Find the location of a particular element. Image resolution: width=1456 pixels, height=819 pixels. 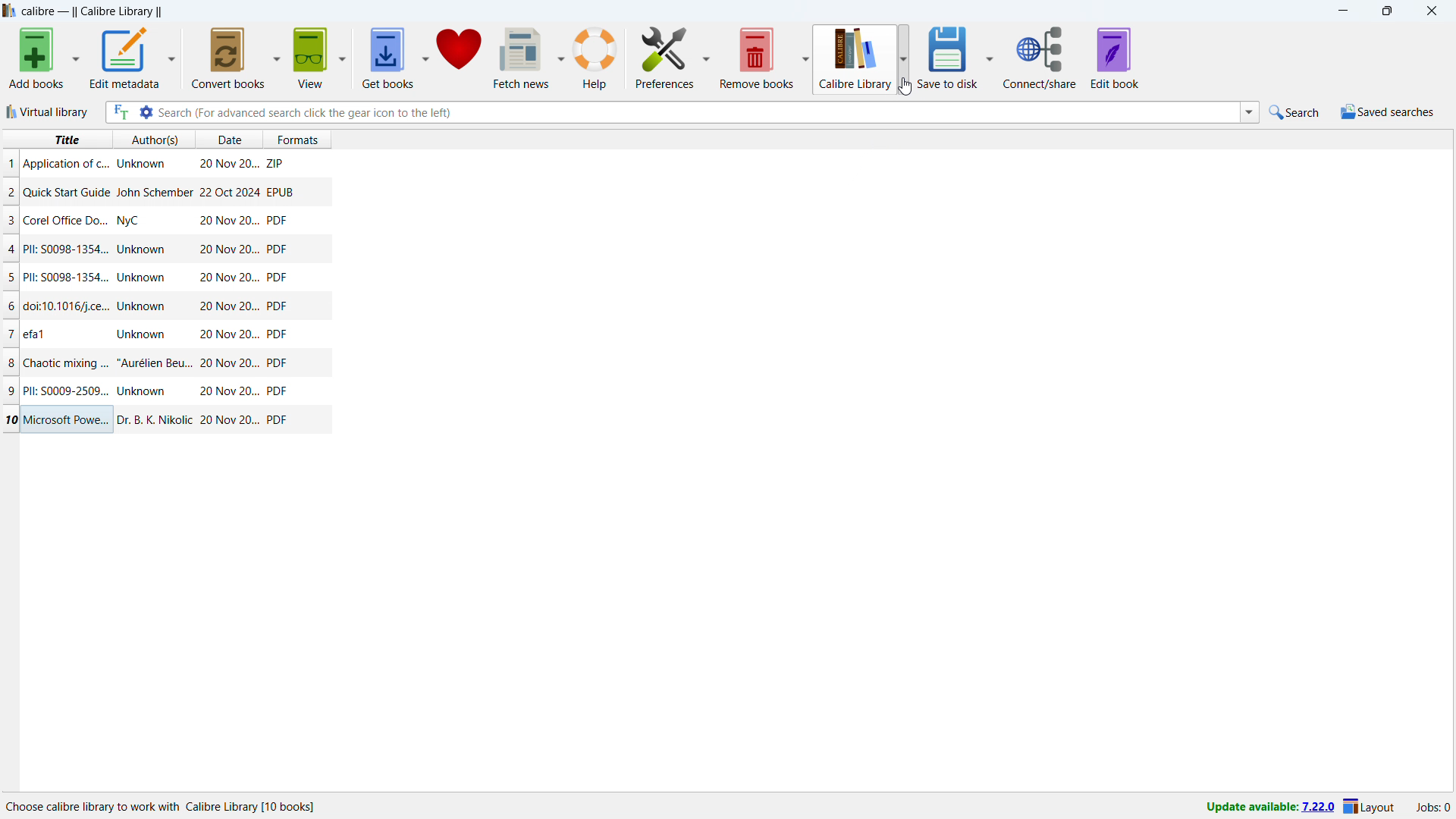

layout is located at coordinates (1370, 808).